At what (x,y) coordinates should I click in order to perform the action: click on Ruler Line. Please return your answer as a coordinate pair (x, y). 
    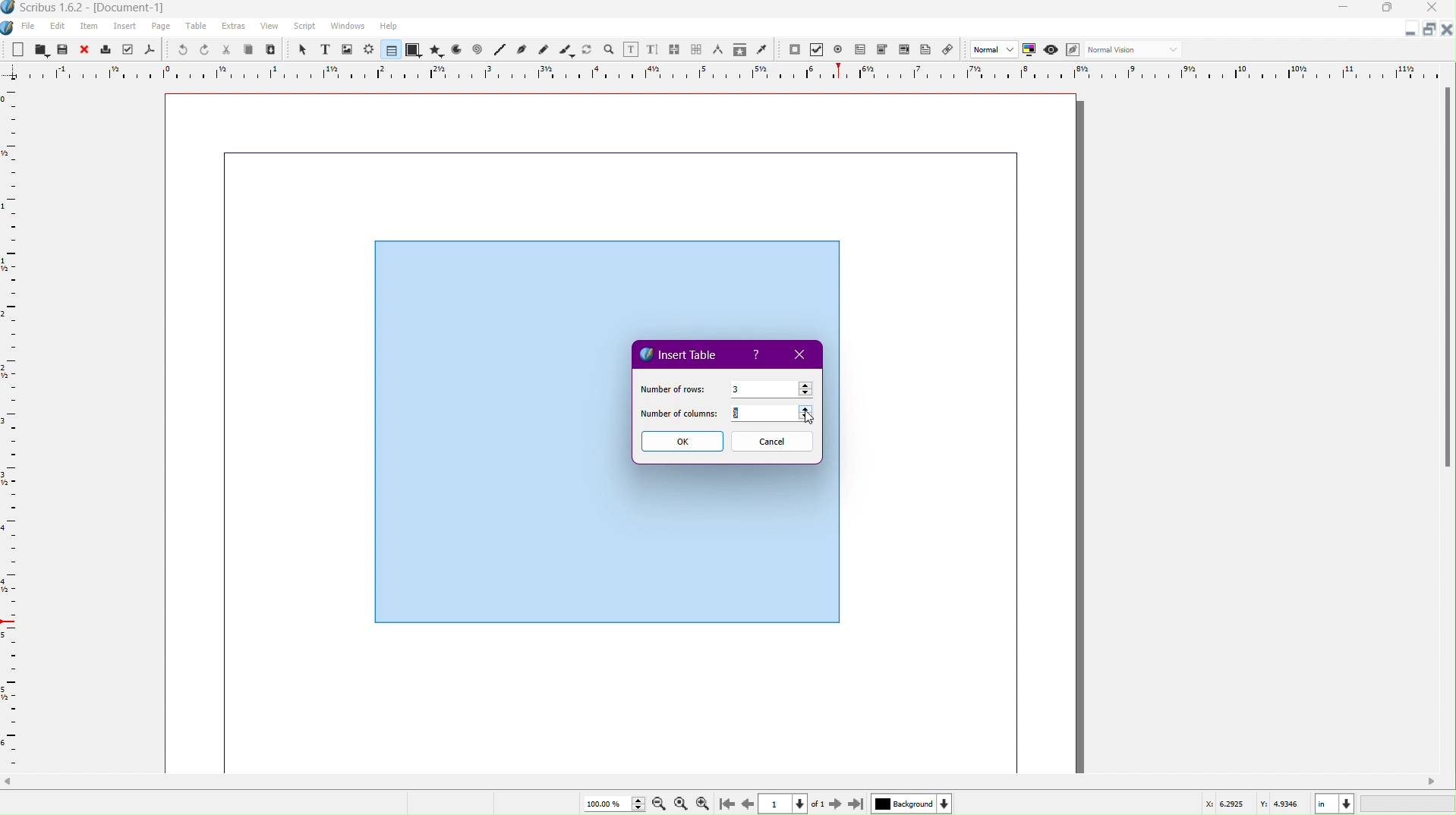
    Looking at the image, I should click on (17, 428).